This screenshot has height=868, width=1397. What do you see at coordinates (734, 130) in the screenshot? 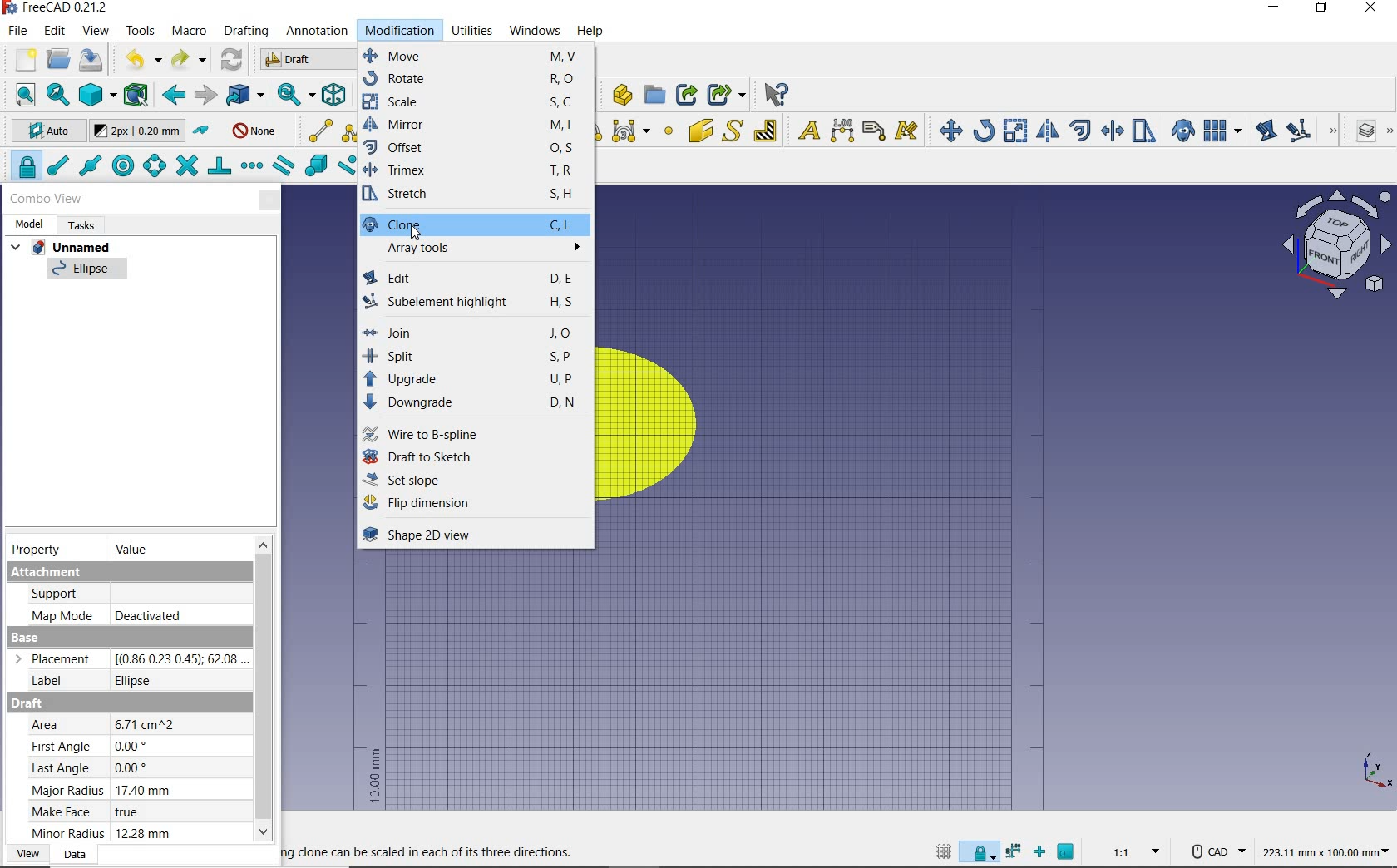
I see `shape from text` at bounding box center [734, 130].